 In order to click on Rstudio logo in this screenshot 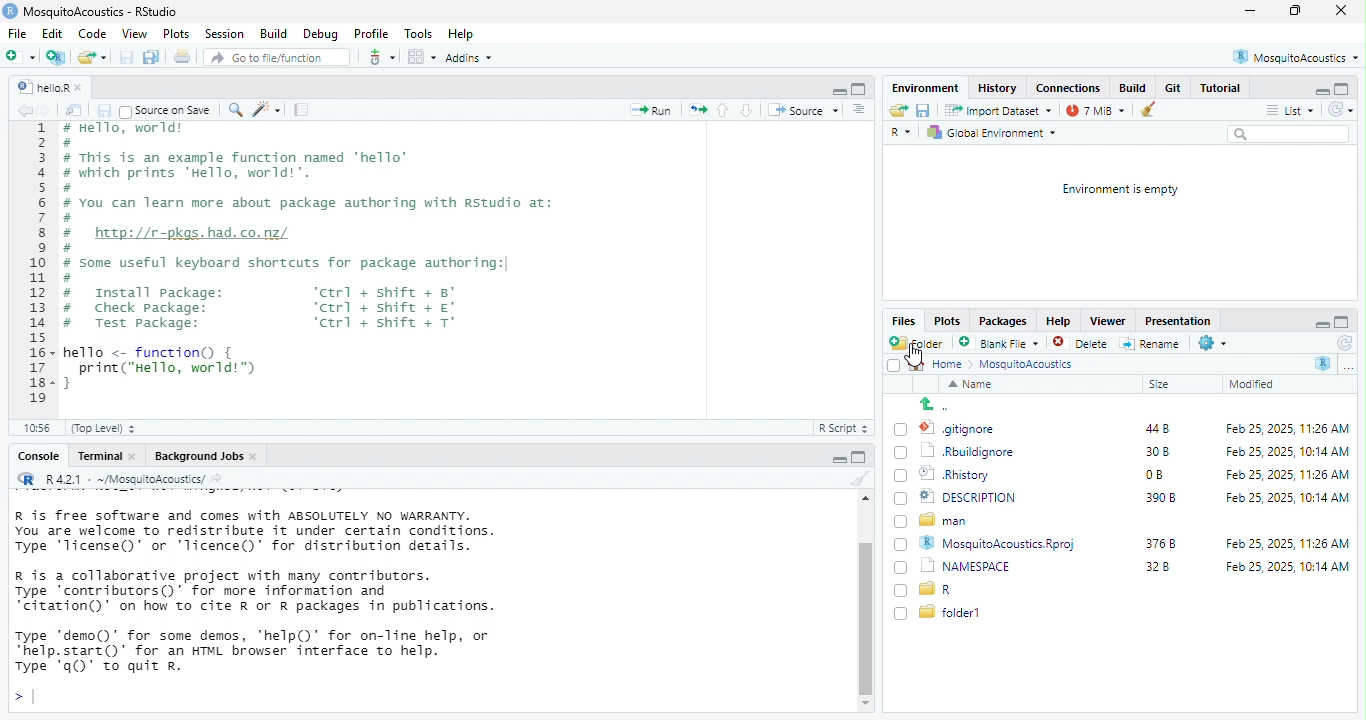, I will do `click(12, 13)`.